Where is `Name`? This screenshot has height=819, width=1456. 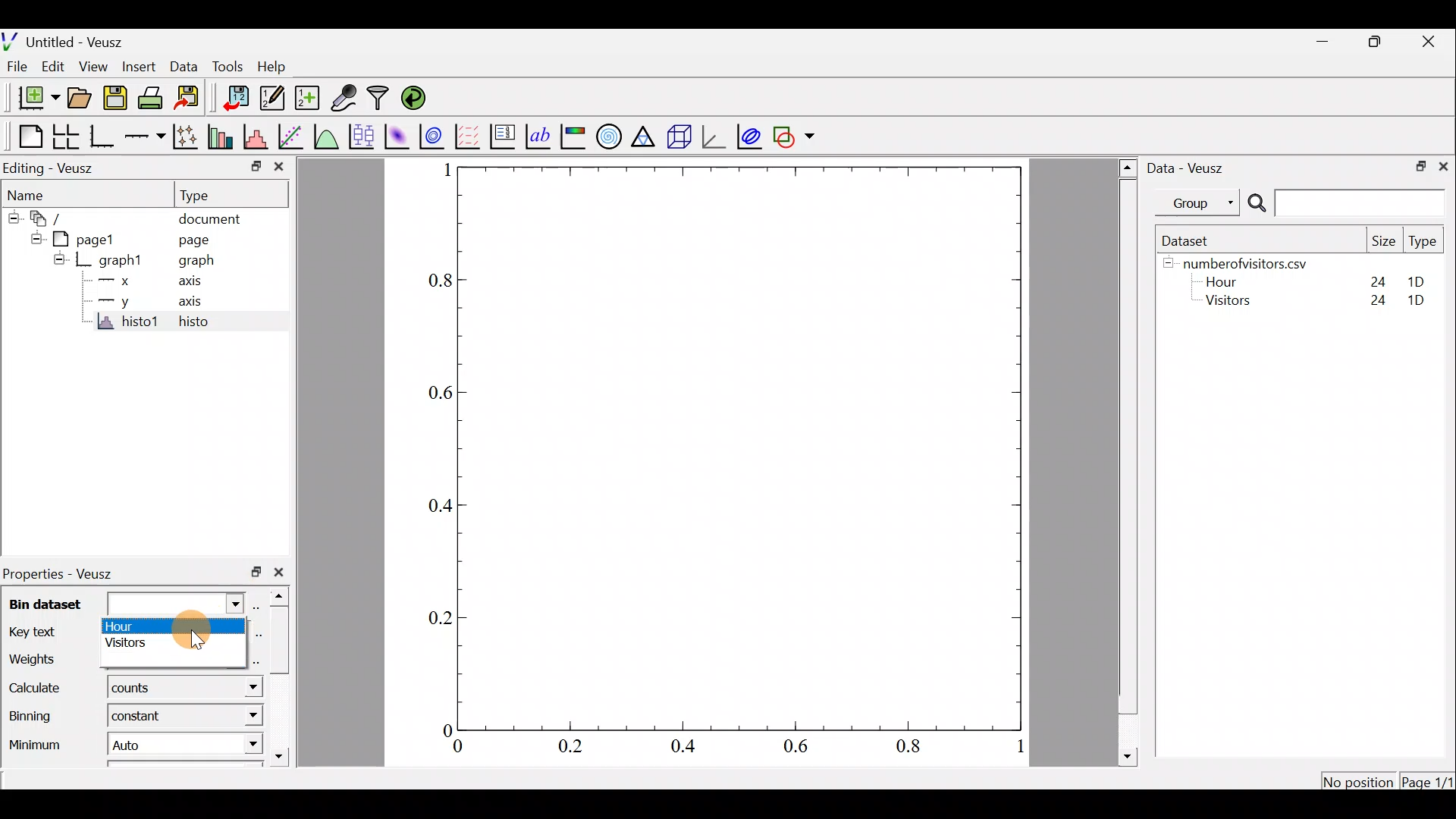
Name is located at coordinates (30, 192).